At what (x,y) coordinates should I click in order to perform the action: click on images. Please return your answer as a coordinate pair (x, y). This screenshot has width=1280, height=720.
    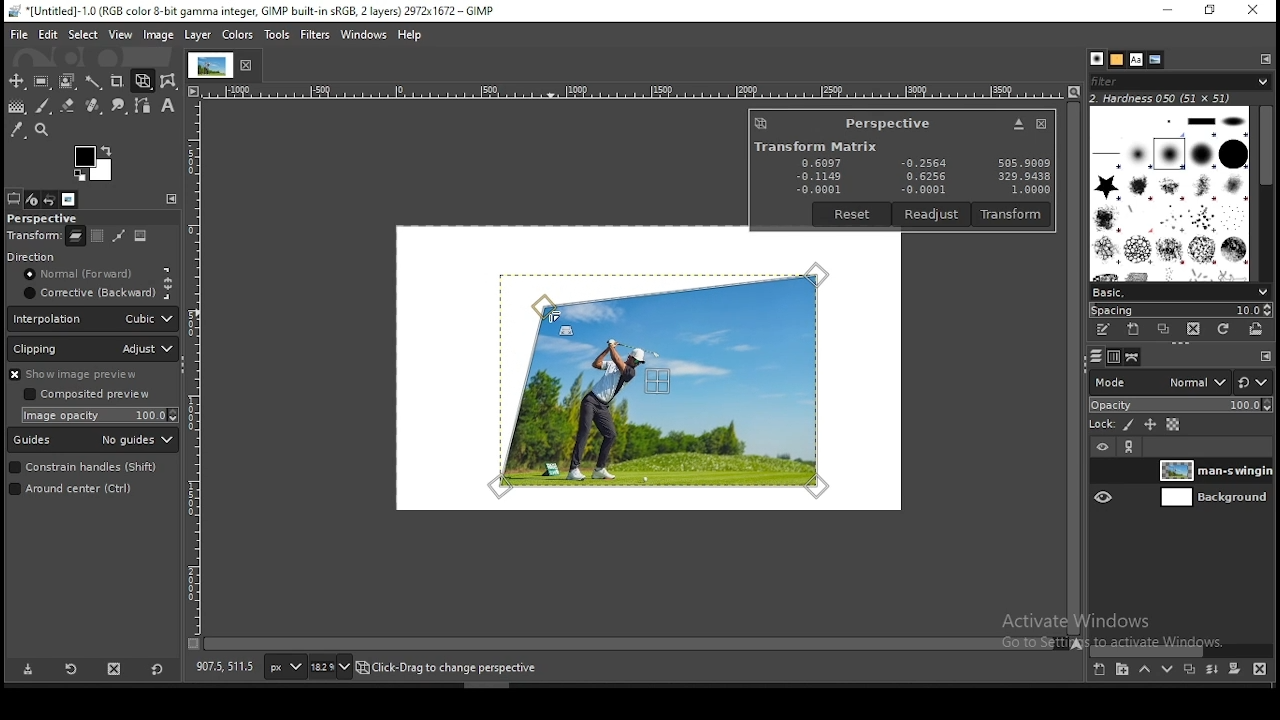
    Looking at the image, I should click on (69, 199).